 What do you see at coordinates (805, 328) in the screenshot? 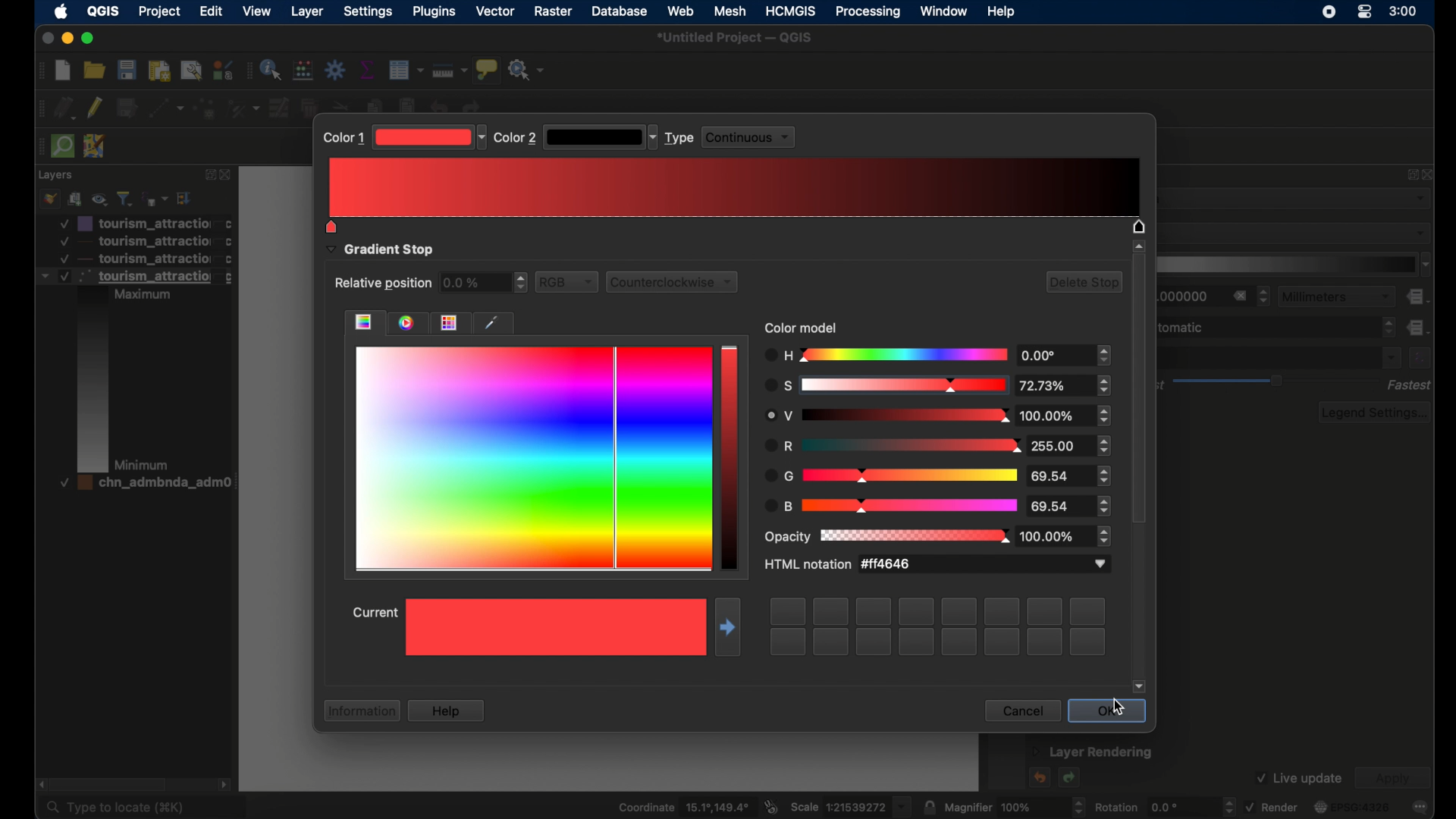
I see `color model` at bounding box center [805, 328].